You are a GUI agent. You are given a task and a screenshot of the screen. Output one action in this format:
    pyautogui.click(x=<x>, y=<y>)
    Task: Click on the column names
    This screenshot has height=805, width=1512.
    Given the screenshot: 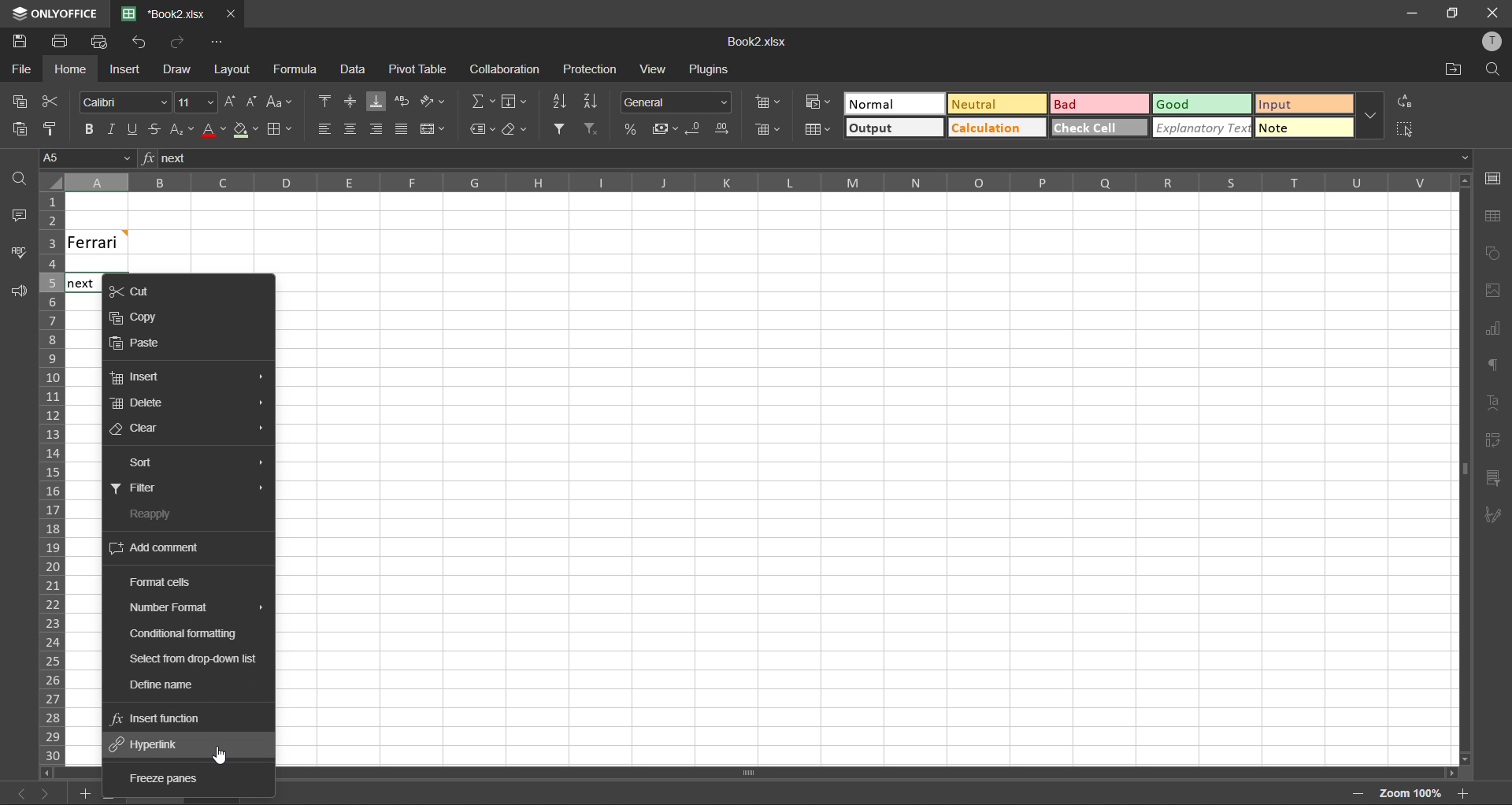 What is the action you would take?
    pyautogui.click(x=748, y=181)
    